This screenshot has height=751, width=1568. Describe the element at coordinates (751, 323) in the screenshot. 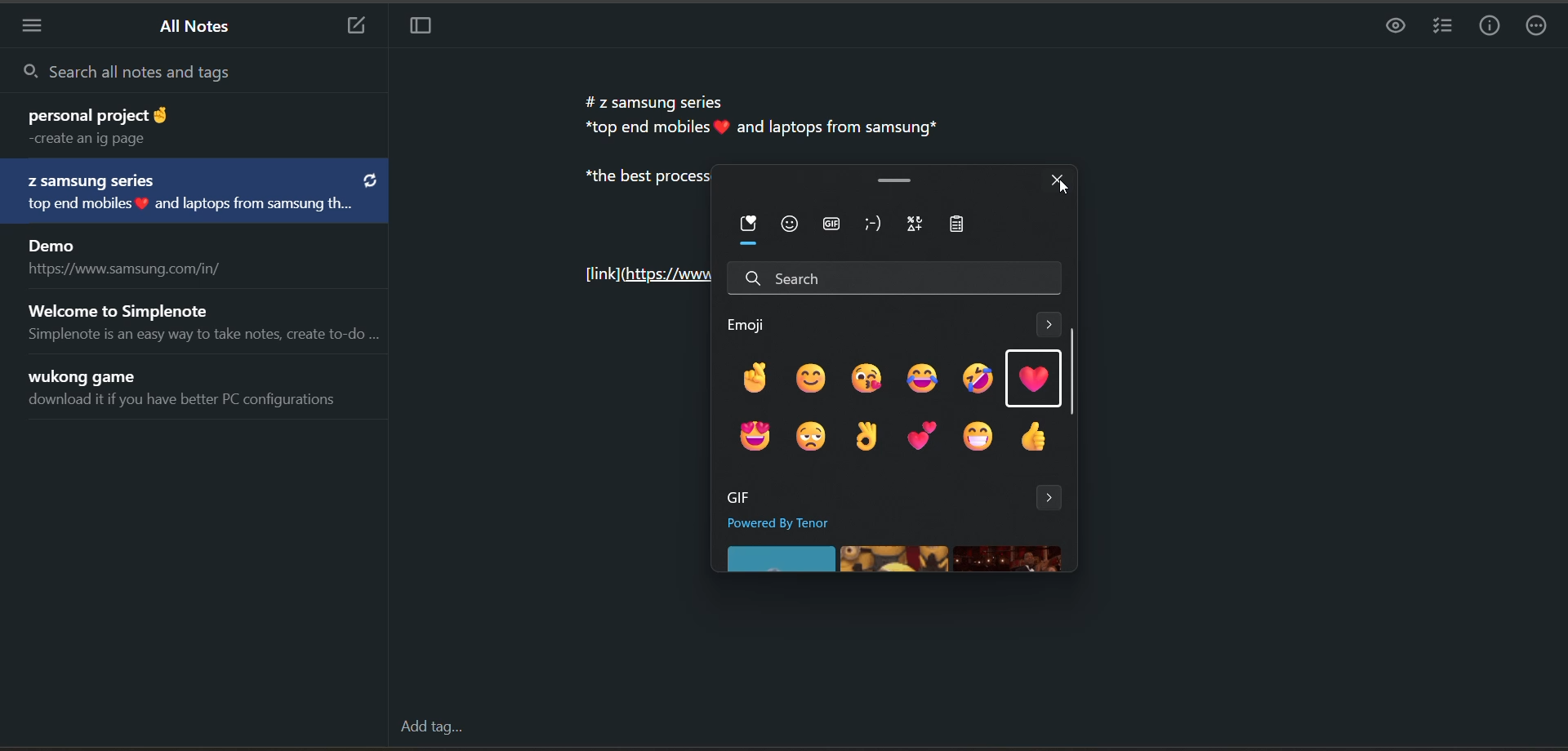

I see `emoji` at that location.